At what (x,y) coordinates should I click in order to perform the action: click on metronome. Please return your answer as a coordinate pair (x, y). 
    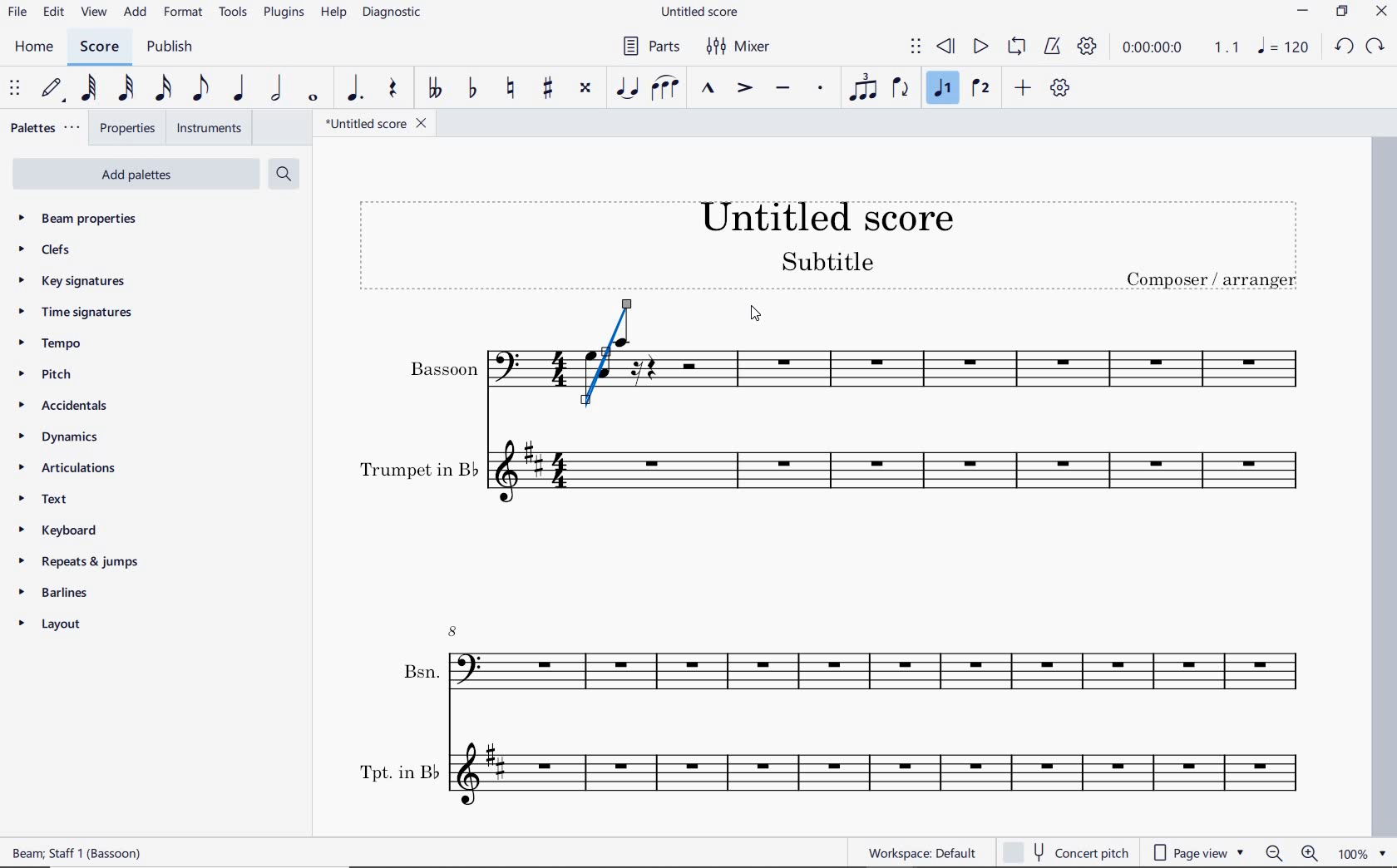
    Looking at the image, I should click on (1054, 47).